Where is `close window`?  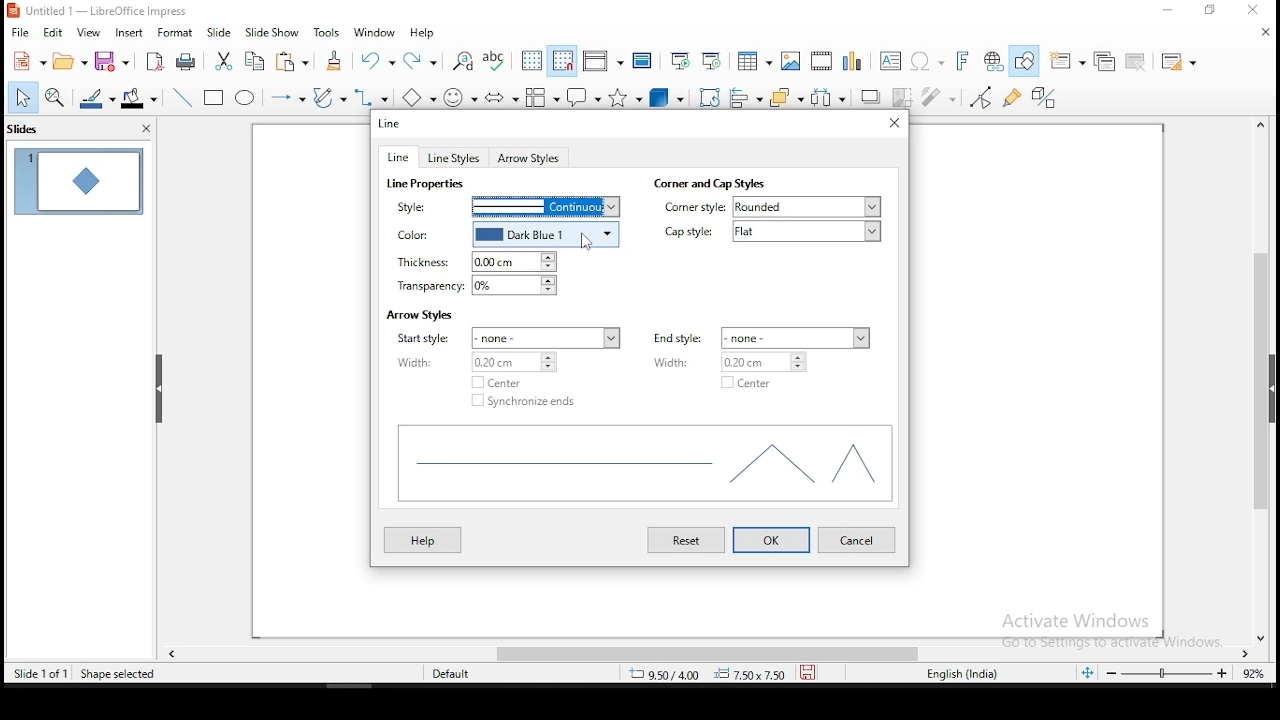 close window is located at coordinates (895, 123).